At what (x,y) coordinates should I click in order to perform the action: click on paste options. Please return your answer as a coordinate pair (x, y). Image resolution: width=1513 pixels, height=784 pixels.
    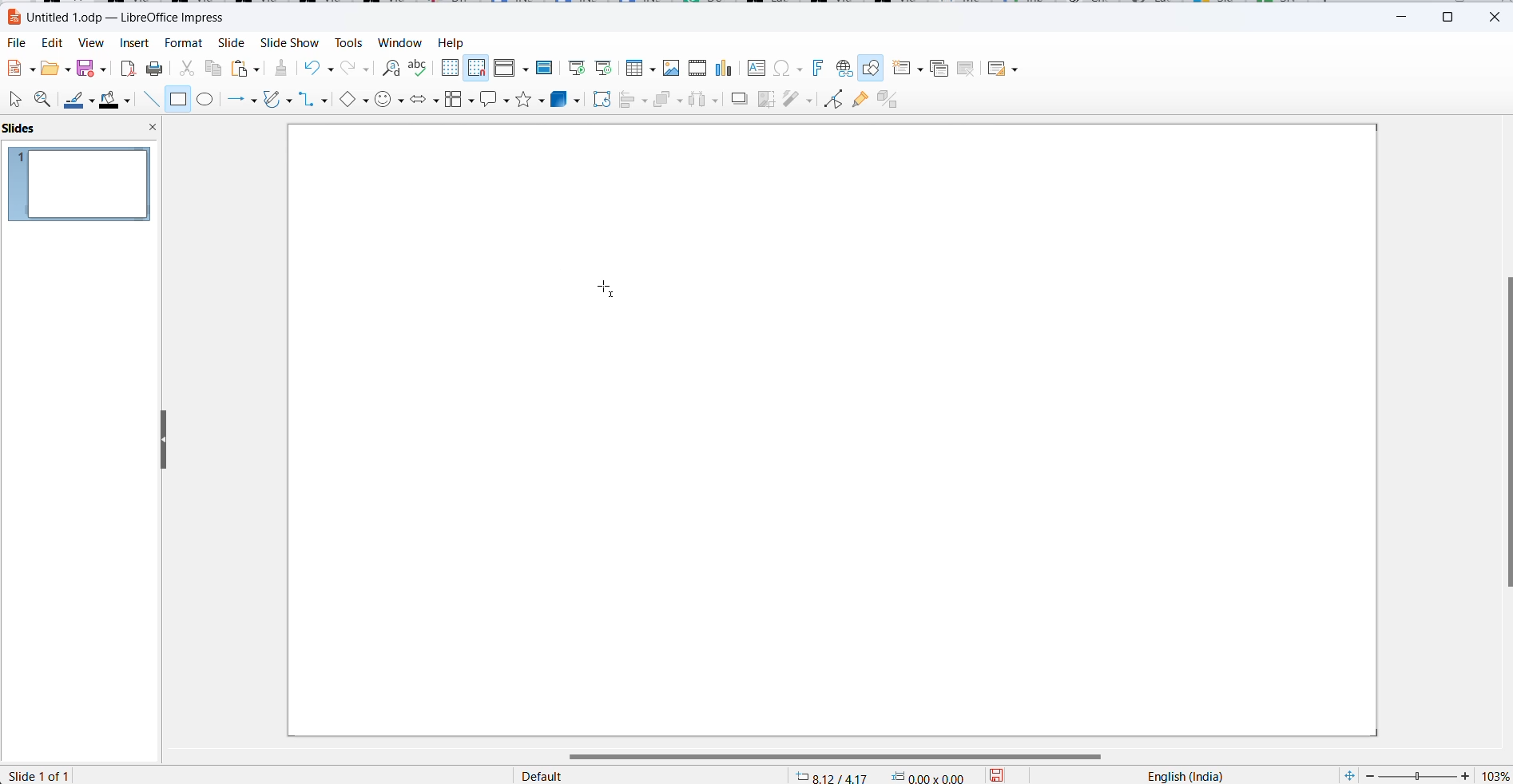
    Looking at the image, I should click on (245, 69).